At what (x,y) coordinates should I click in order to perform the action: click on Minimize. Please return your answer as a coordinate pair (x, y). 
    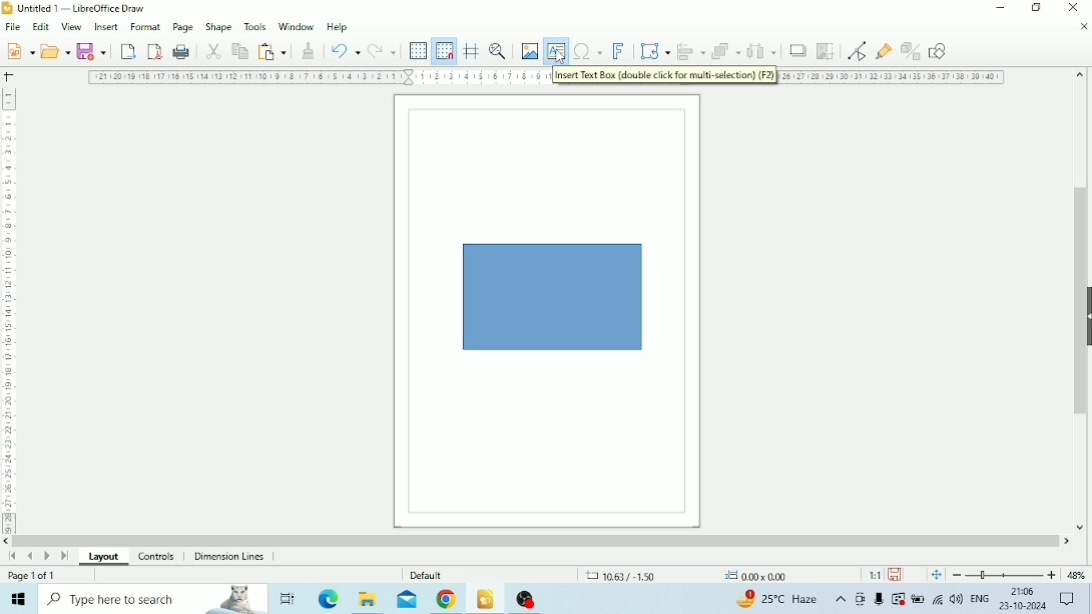
    Looking at the image, I should click on (1003, 8).